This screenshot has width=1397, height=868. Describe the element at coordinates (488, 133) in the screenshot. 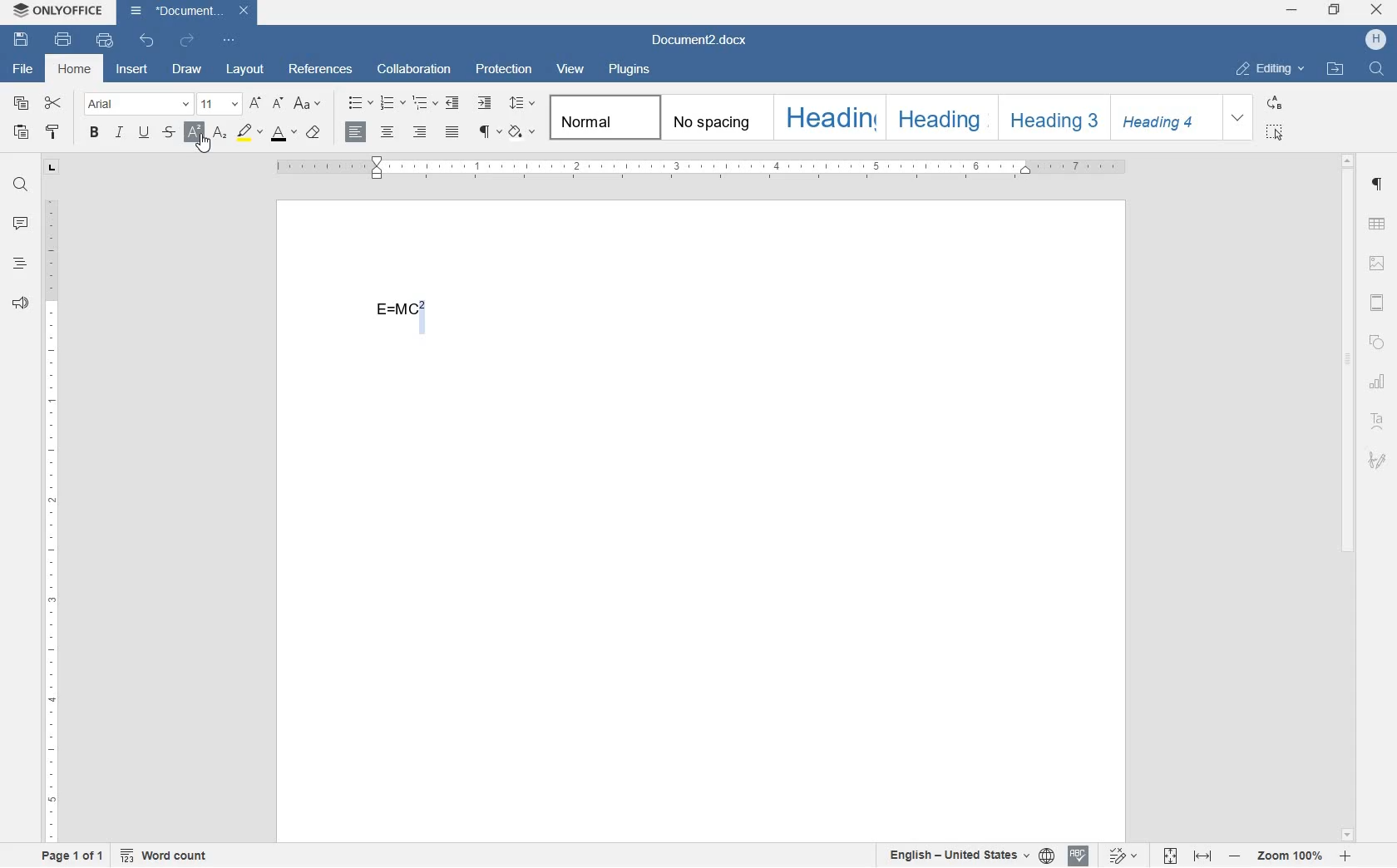

I see `non printing characters` at that location.